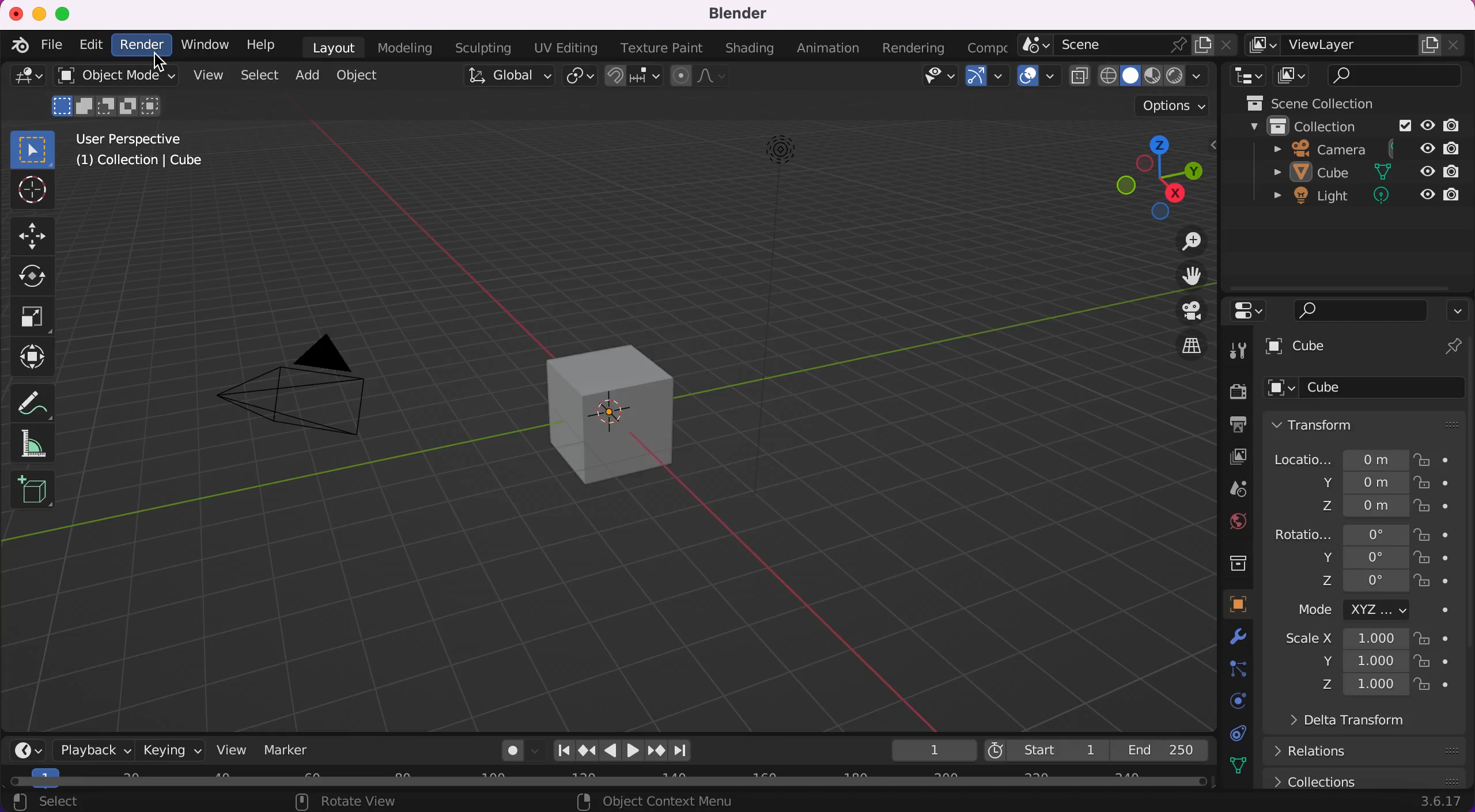 The image size is (1475, 812). What do you see at coordinates (1366, 752) in the screenshot?
I see `relations` at bounding box center [1366, 752].